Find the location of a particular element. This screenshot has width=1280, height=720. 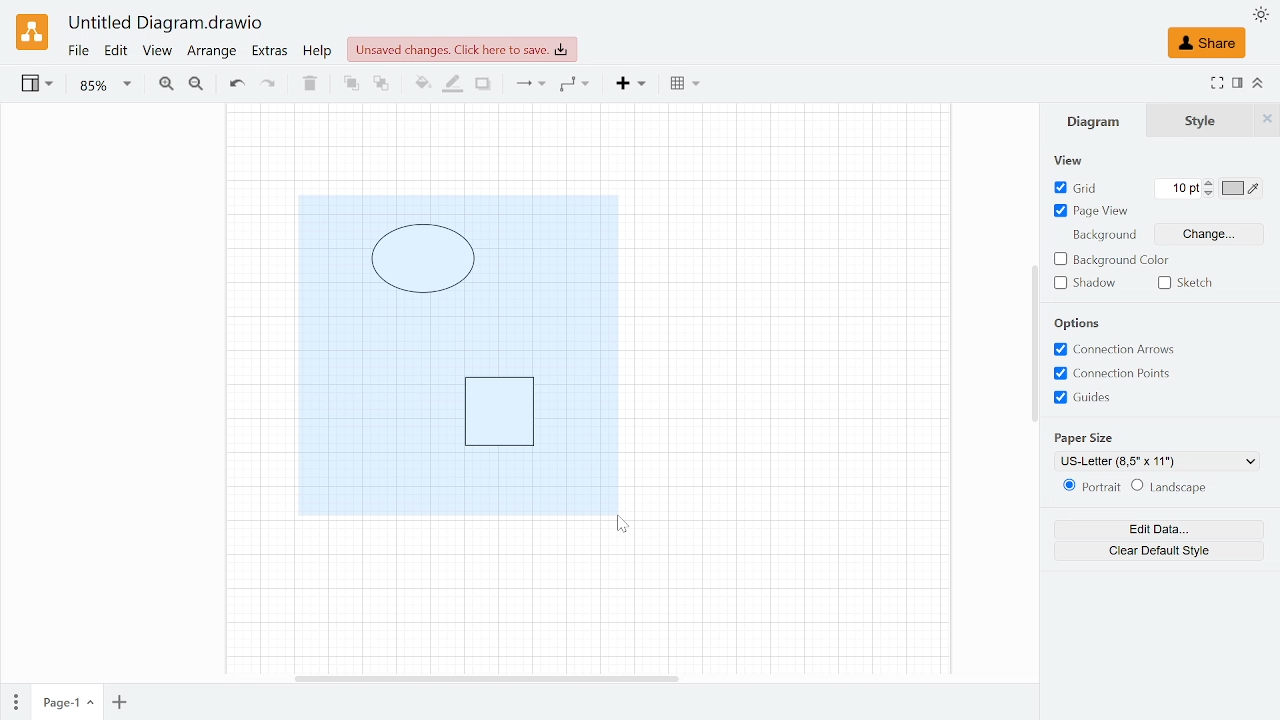

Grid units is located at coordinates (1178, 188).